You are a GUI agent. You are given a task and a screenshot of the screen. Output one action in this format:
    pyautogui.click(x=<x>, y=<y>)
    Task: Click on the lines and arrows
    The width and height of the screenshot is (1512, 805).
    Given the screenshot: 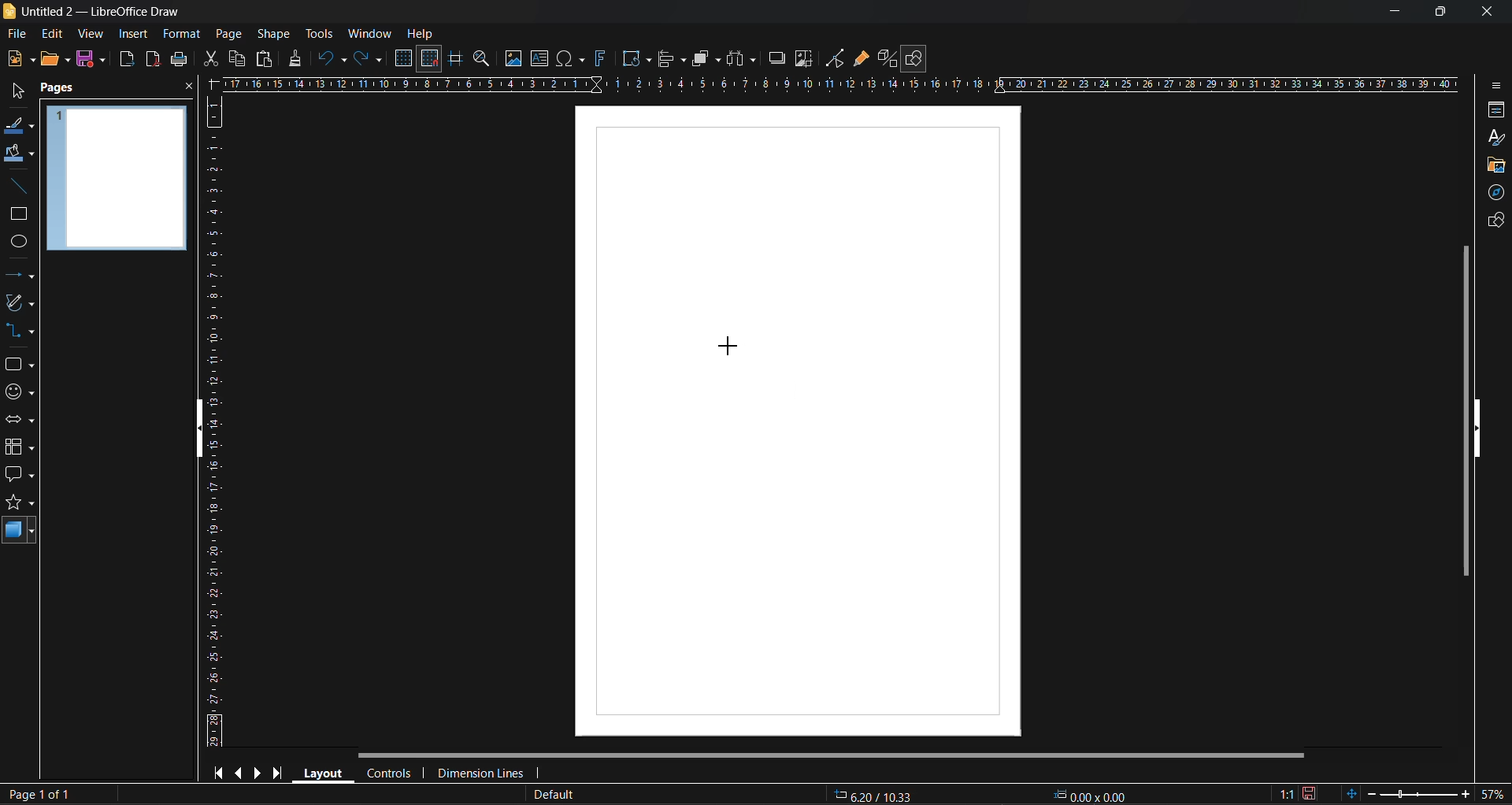 What is the action you would take?
    pyautogui.click(x=20, y=275)
    